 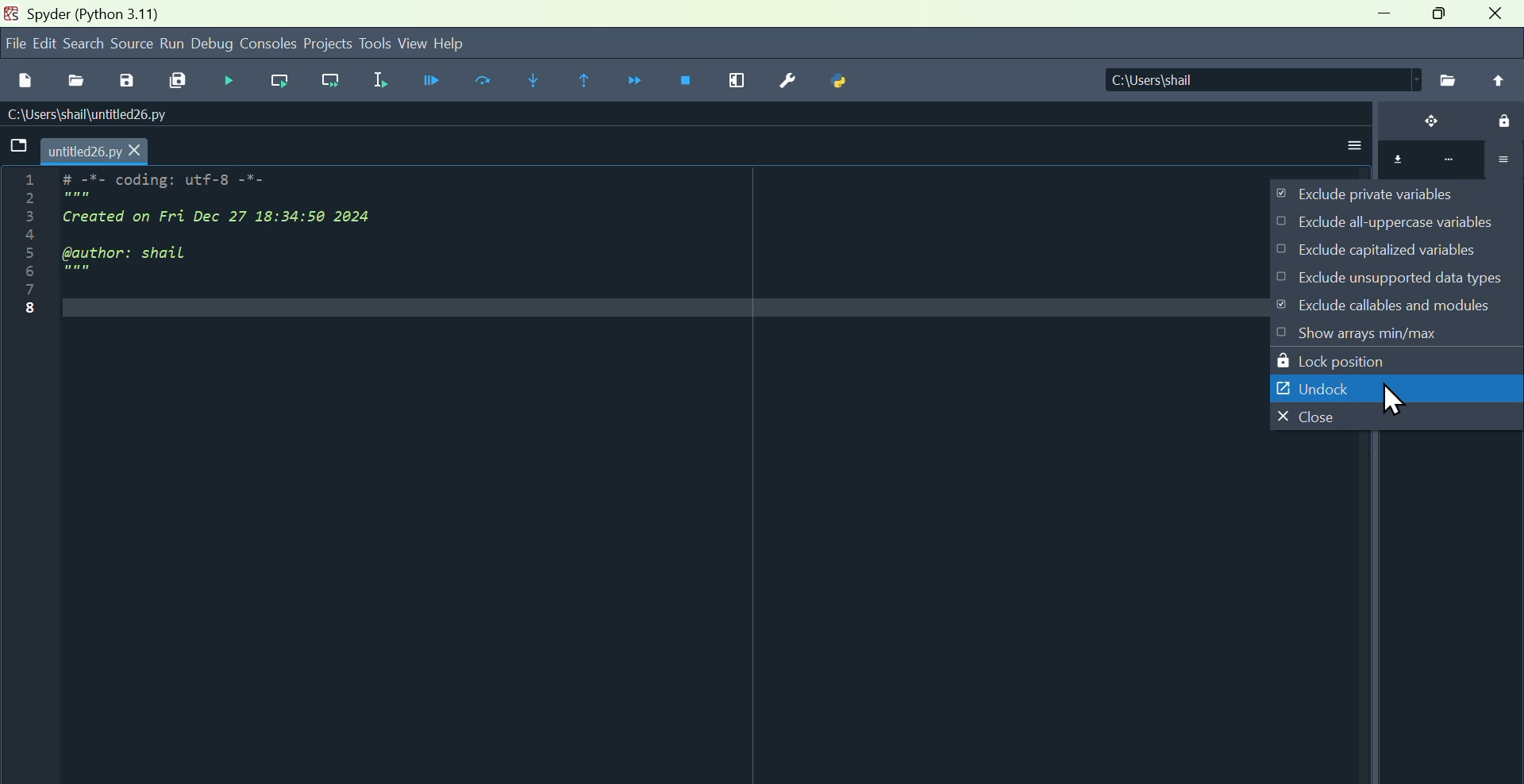 What do you see at coordinates (1394, 273) in the screenshot?
I see `OO Exclude unsupported data types` at bounding box center [1394, 273].